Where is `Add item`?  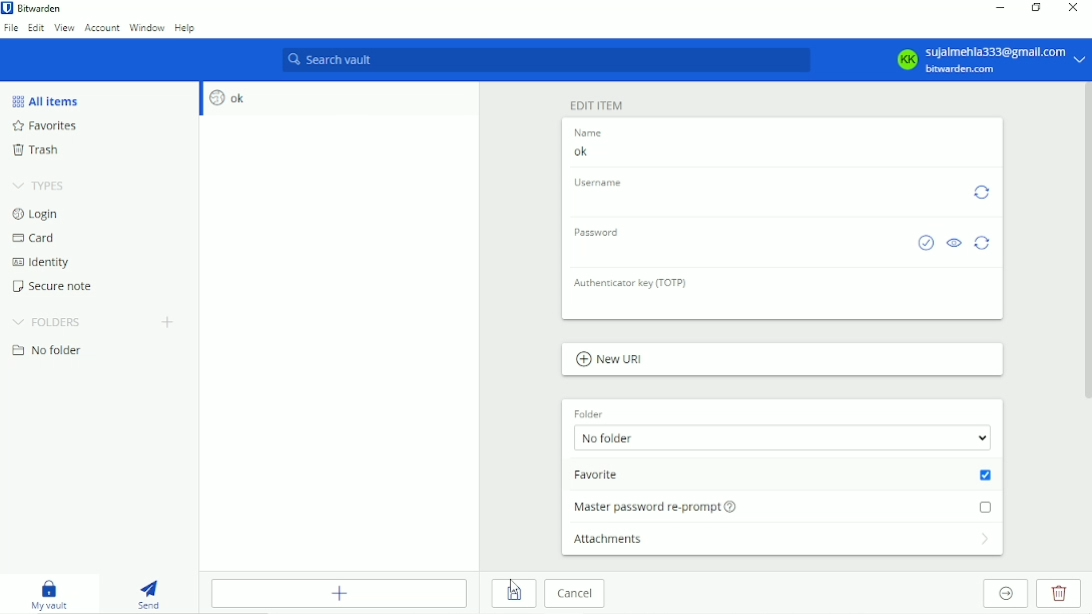
Add item is located at coordinates (338, 593).